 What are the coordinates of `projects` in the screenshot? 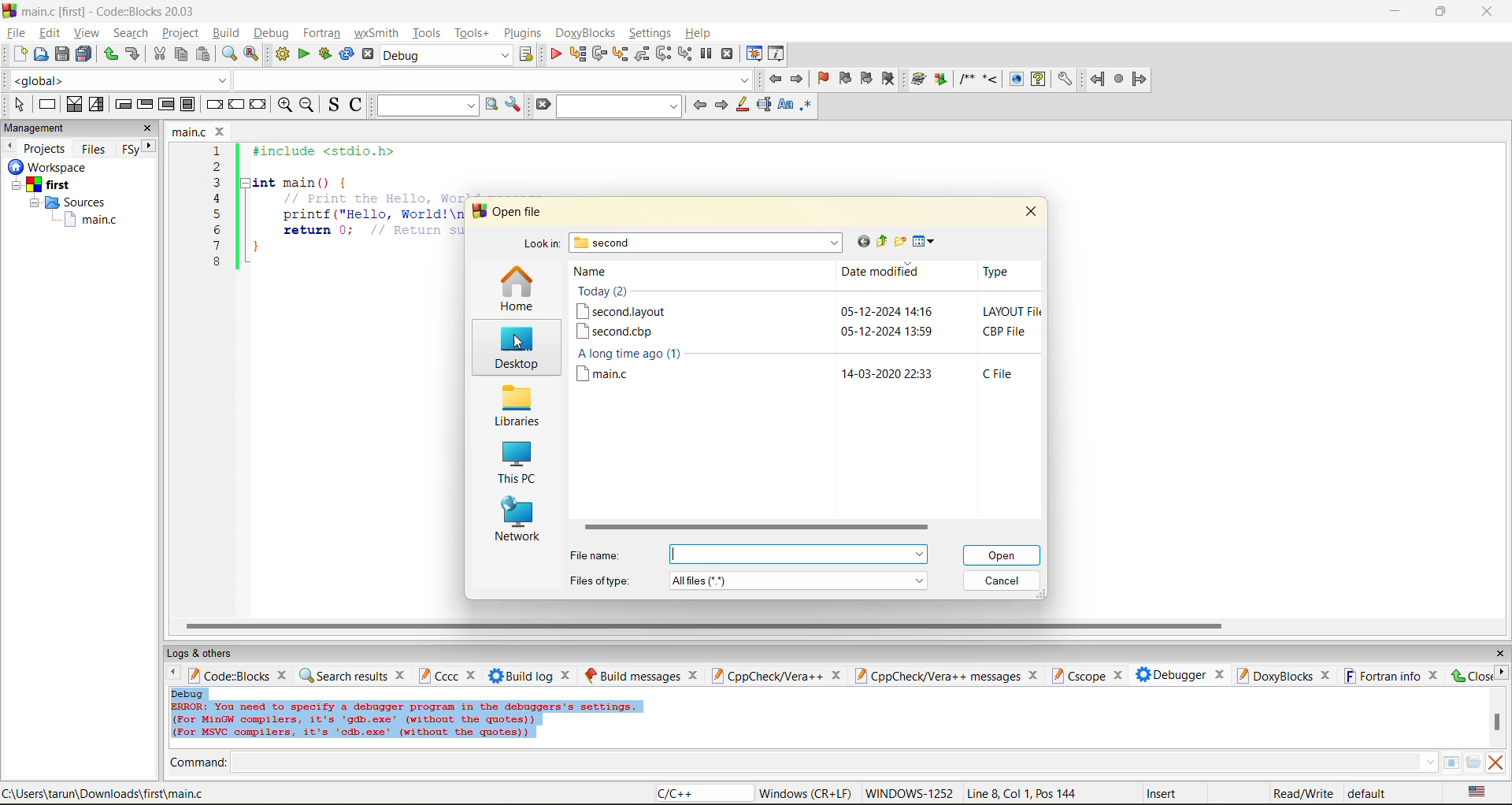 It's located at (46, 148).